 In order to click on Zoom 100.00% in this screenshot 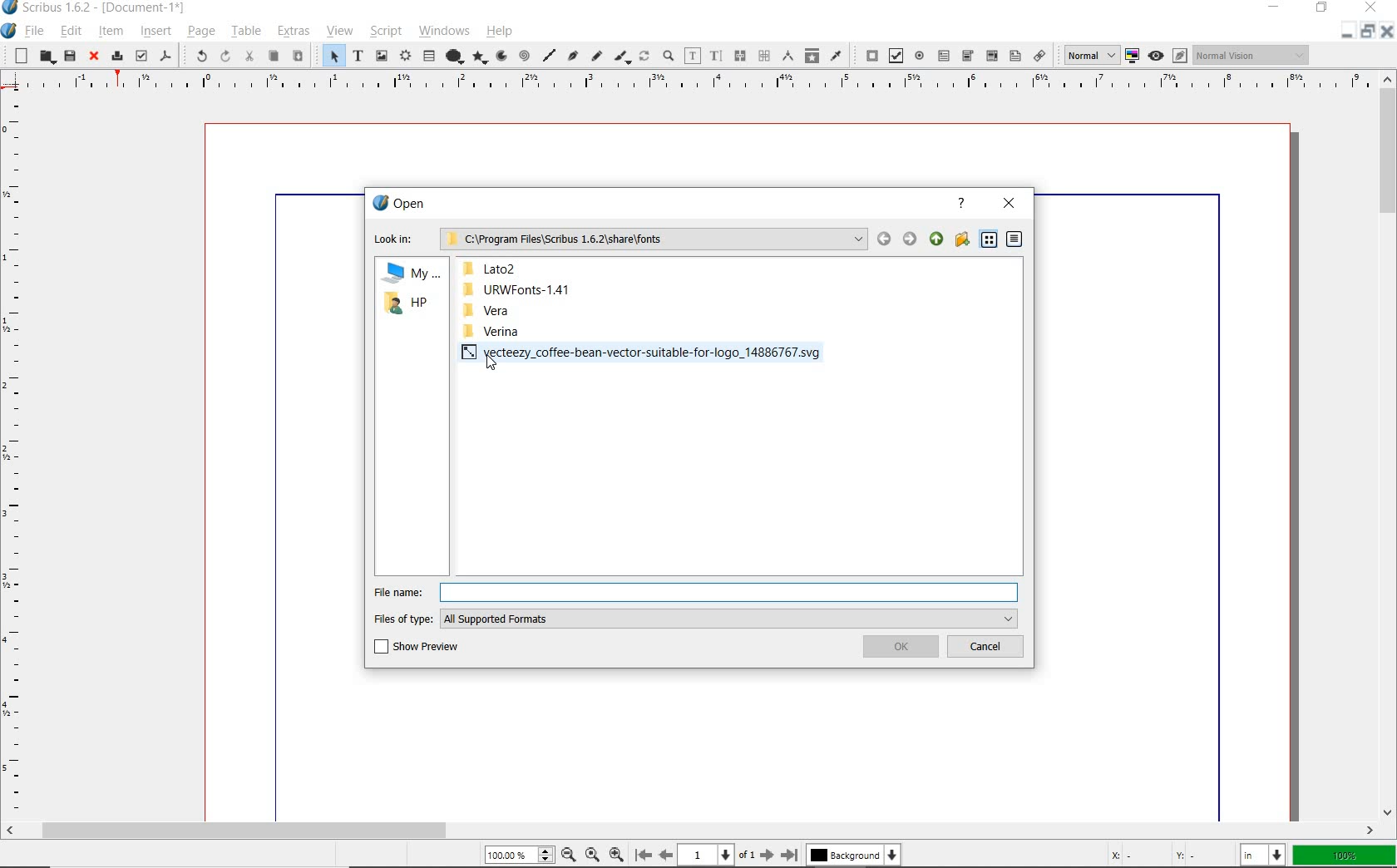, I will do `click(519, 854)`.